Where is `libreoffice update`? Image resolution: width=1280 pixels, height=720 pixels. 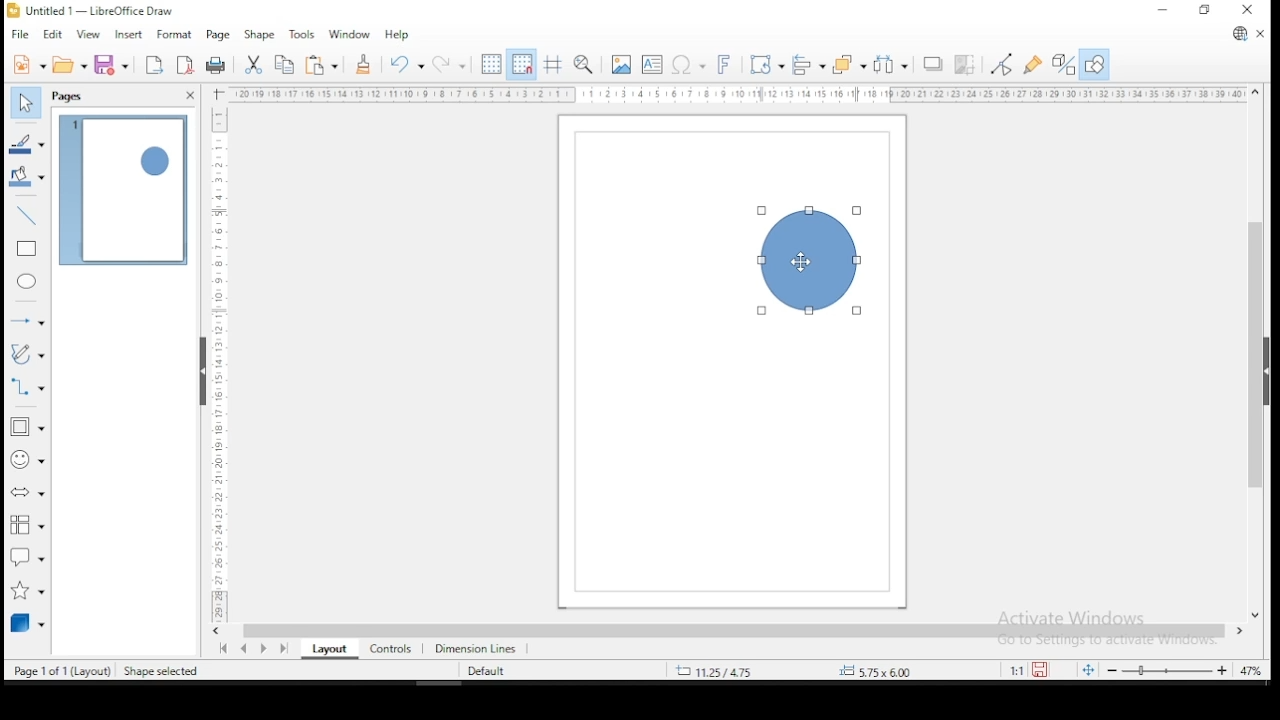 libreoffice update is located at coordinates (1239, 35).